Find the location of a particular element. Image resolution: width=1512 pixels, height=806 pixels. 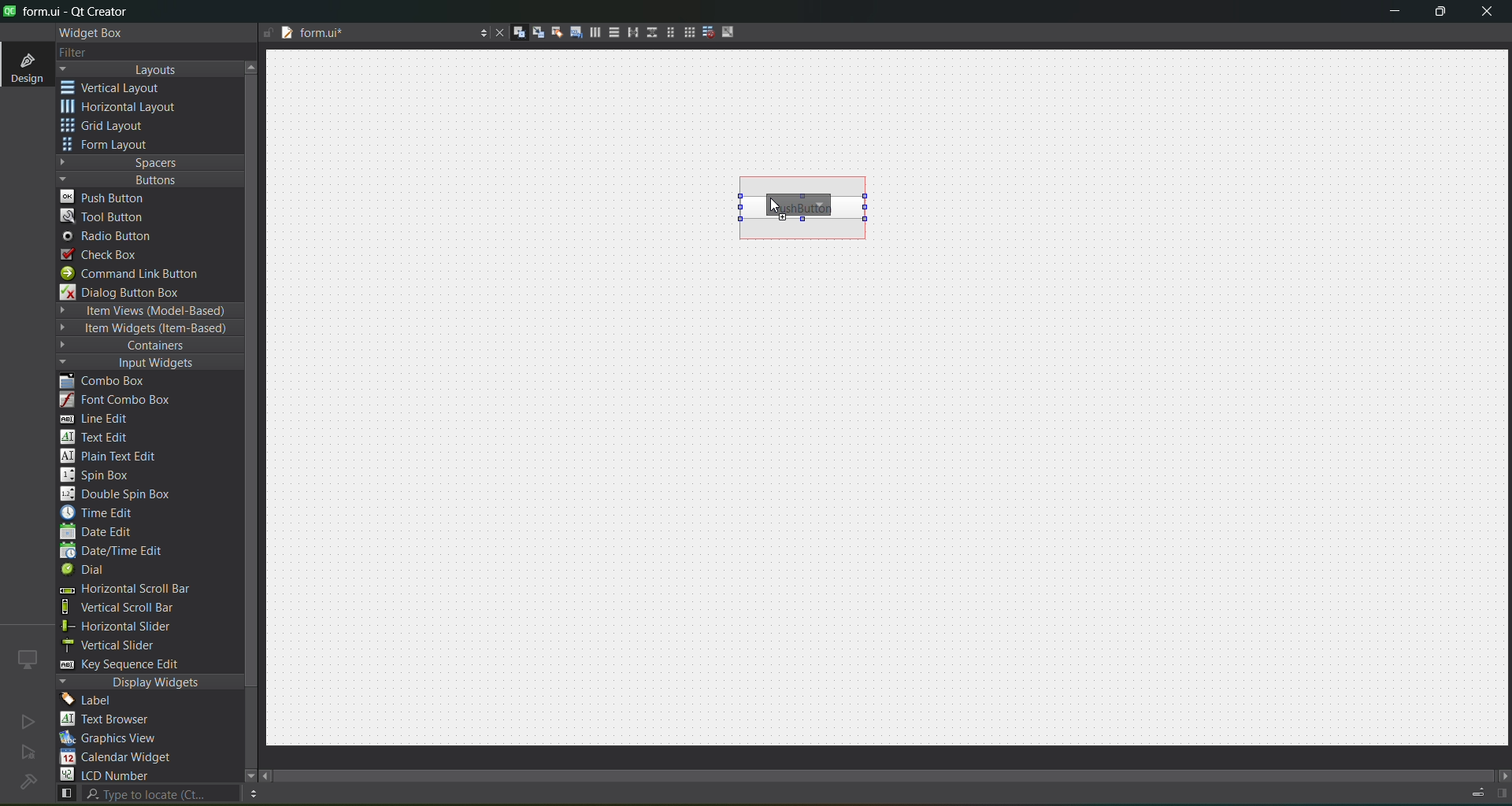

tab name is located at coordinates (373, 34).